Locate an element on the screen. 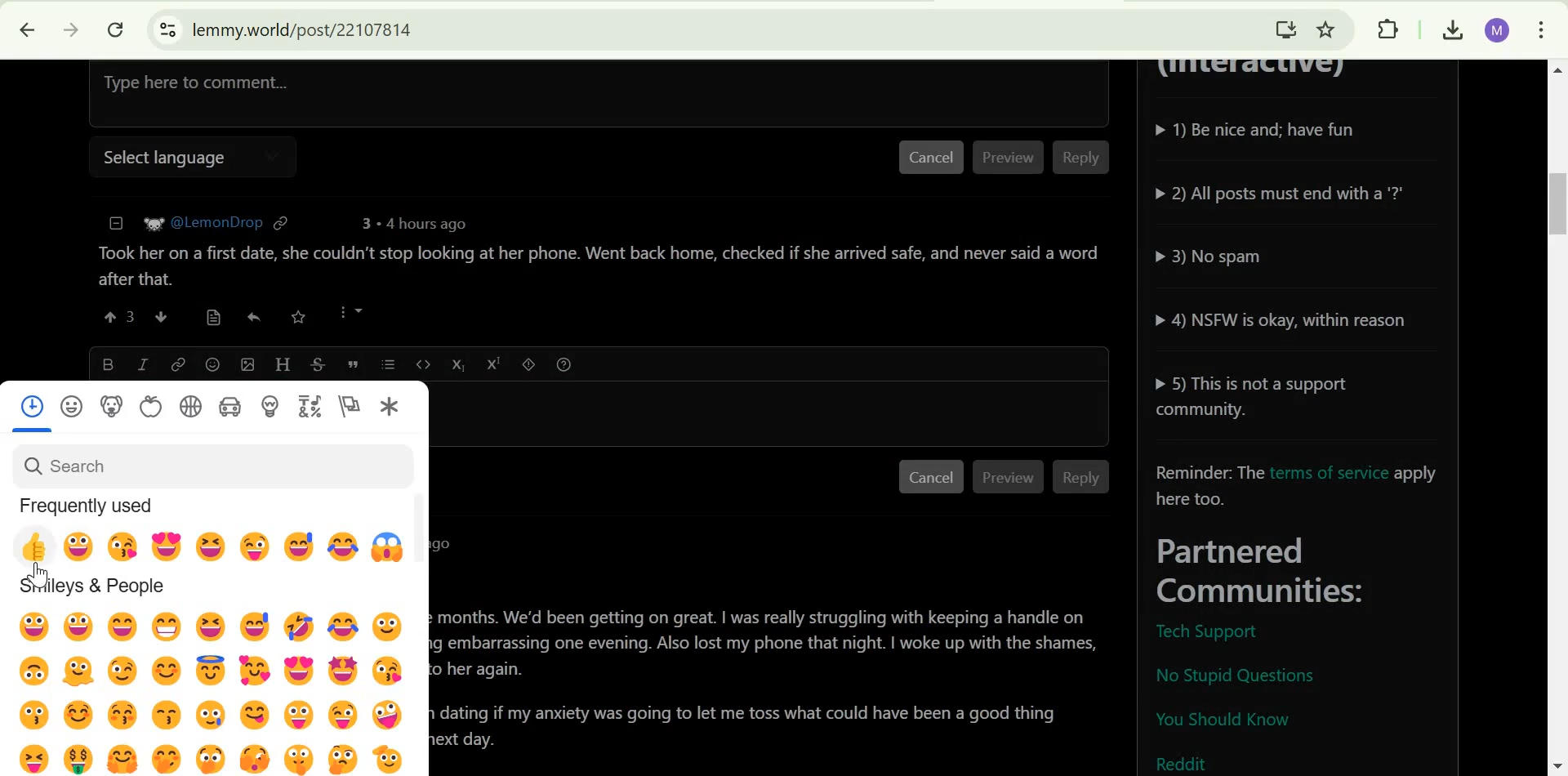  Superscript is located at coordinates (493, 363).